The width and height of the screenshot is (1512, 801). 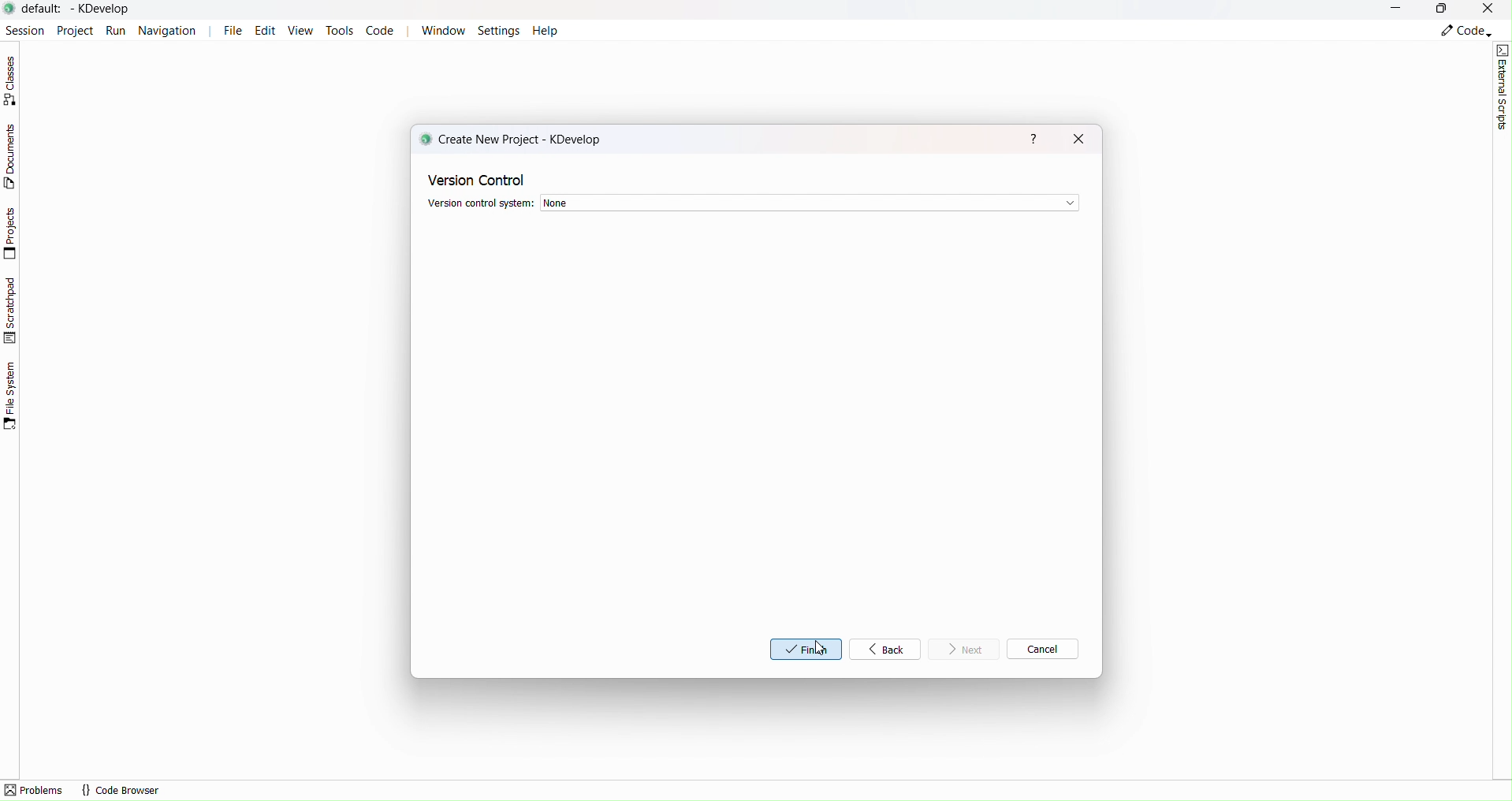 I want to click on cursor, so click(x=821, y=648).